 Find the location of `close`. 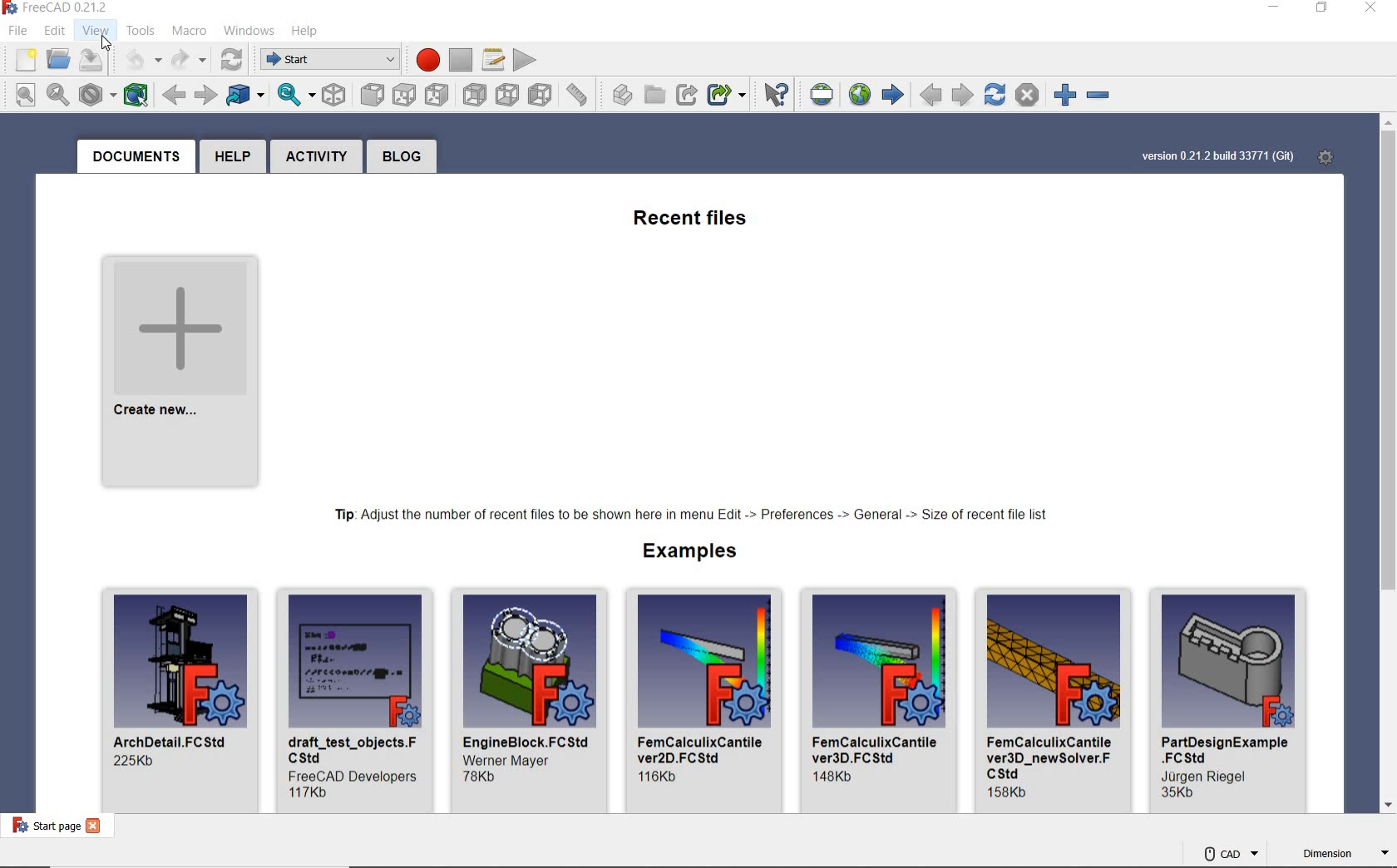

close is located at coordinates (1374, 8).